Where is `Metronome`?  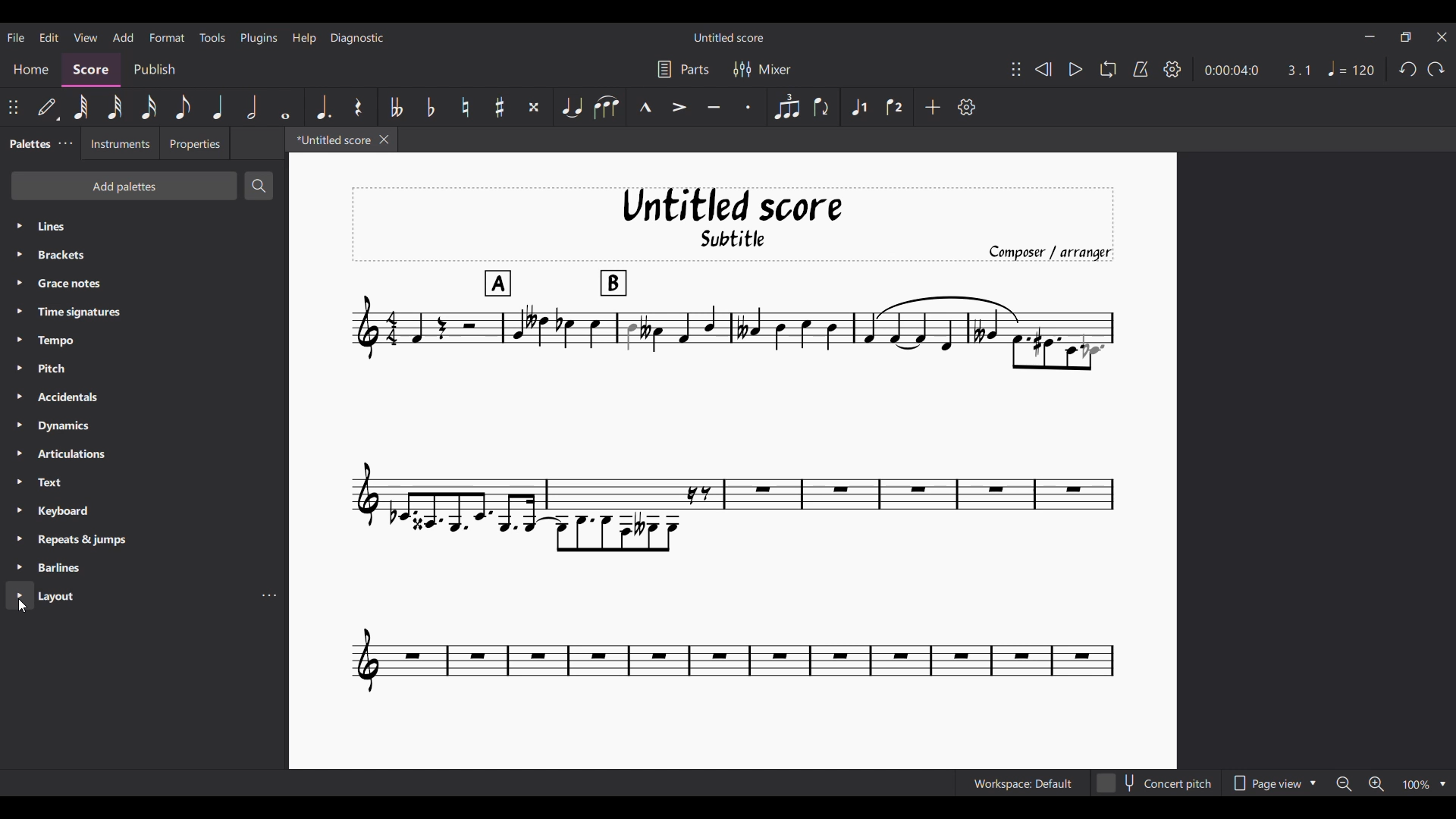
Metronome is located at coordinates (1141, 69).